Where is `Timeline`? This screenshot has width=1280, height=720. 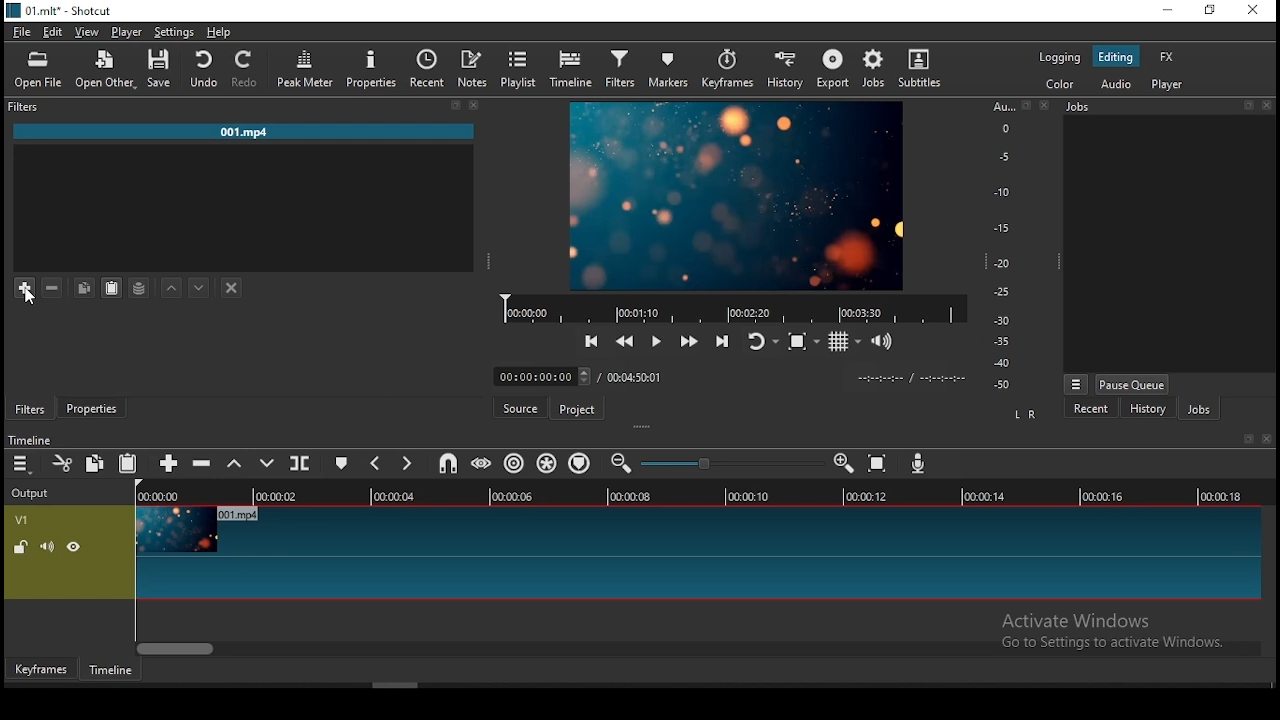 Timeline is located at coordinates (33, 440).